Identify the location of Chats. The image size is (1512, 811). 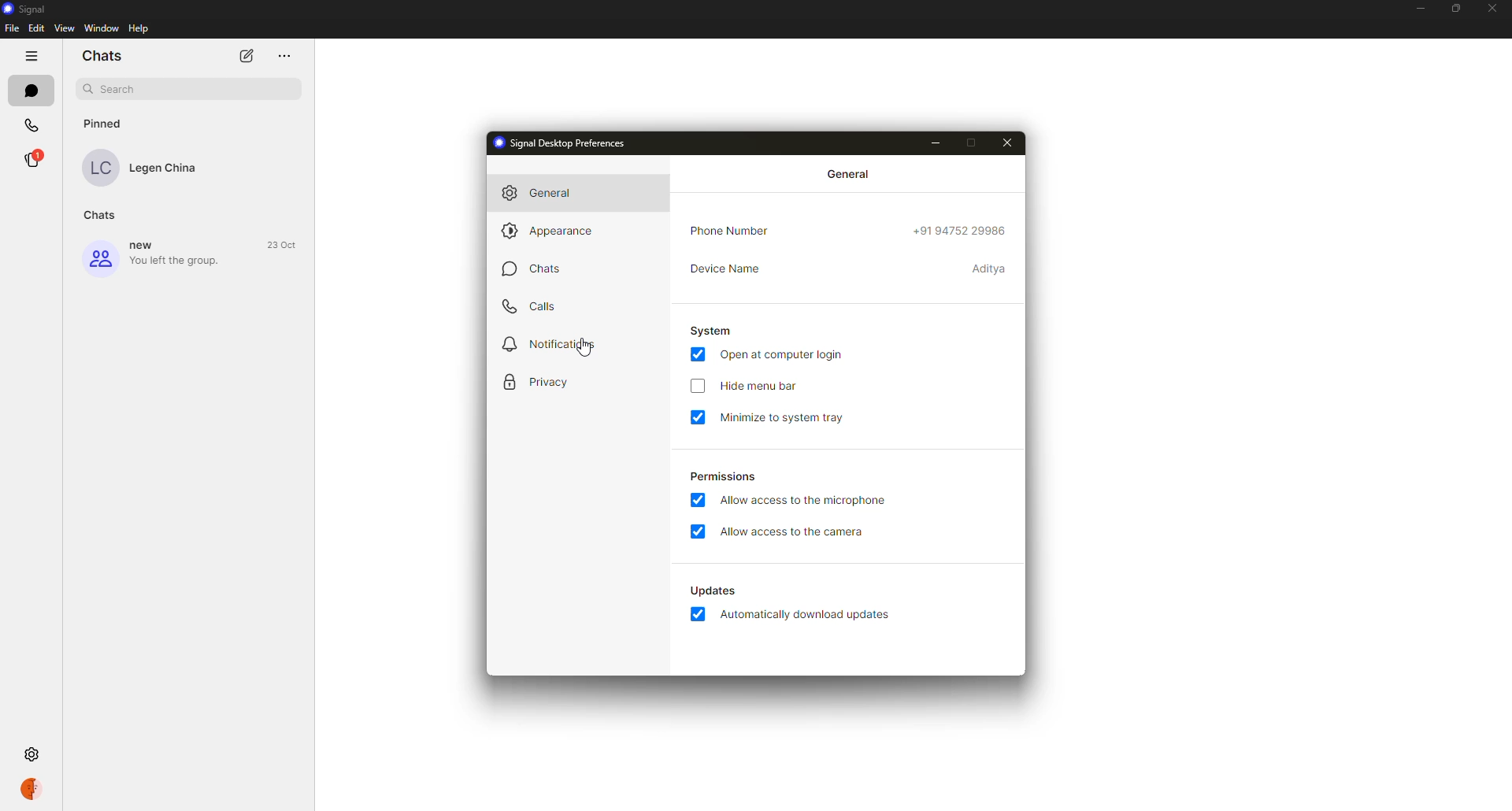
(100, 55).